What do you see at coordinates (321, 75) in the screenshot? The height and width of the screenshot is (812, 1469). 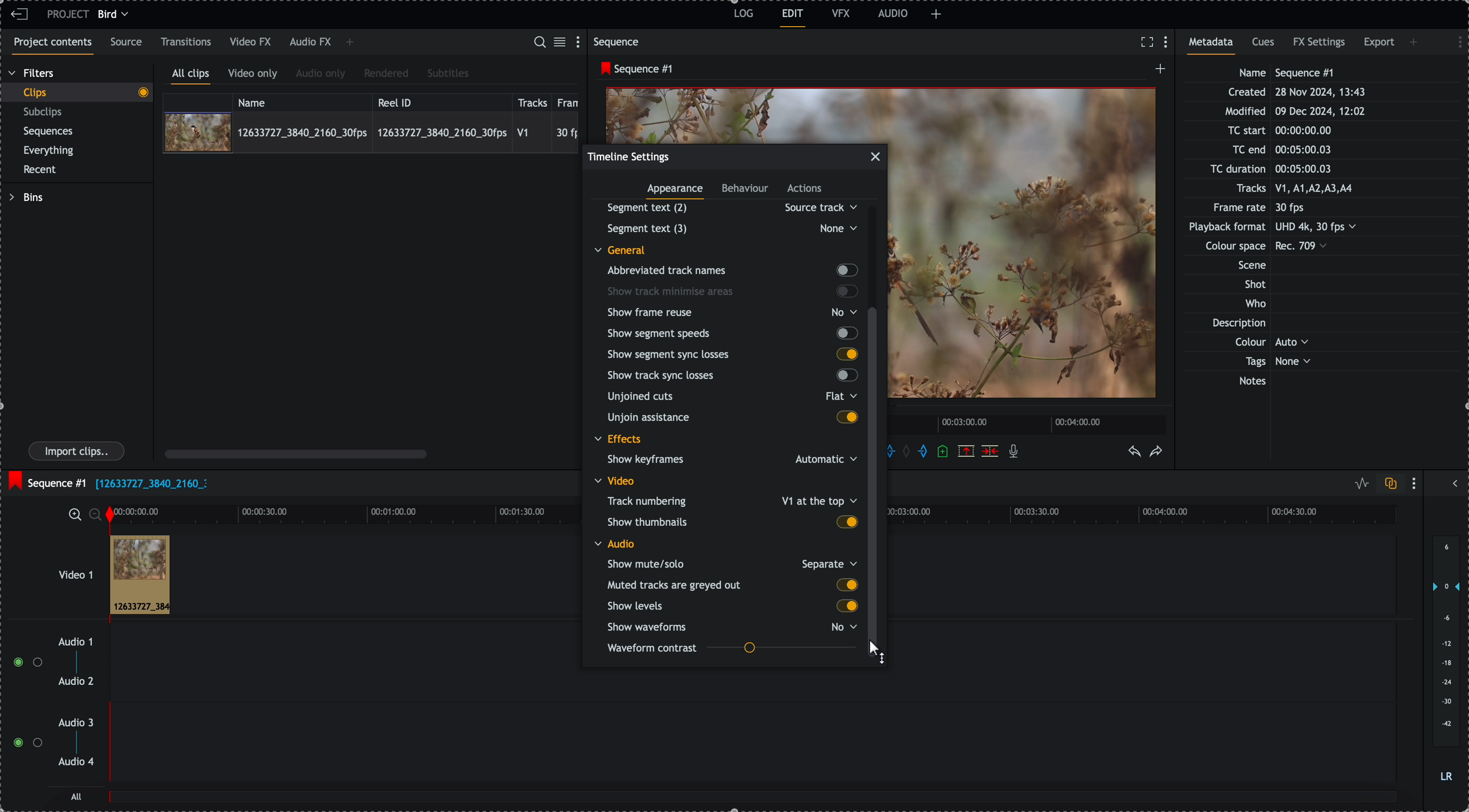 I see `audio only` at bounding box center [321, 75].